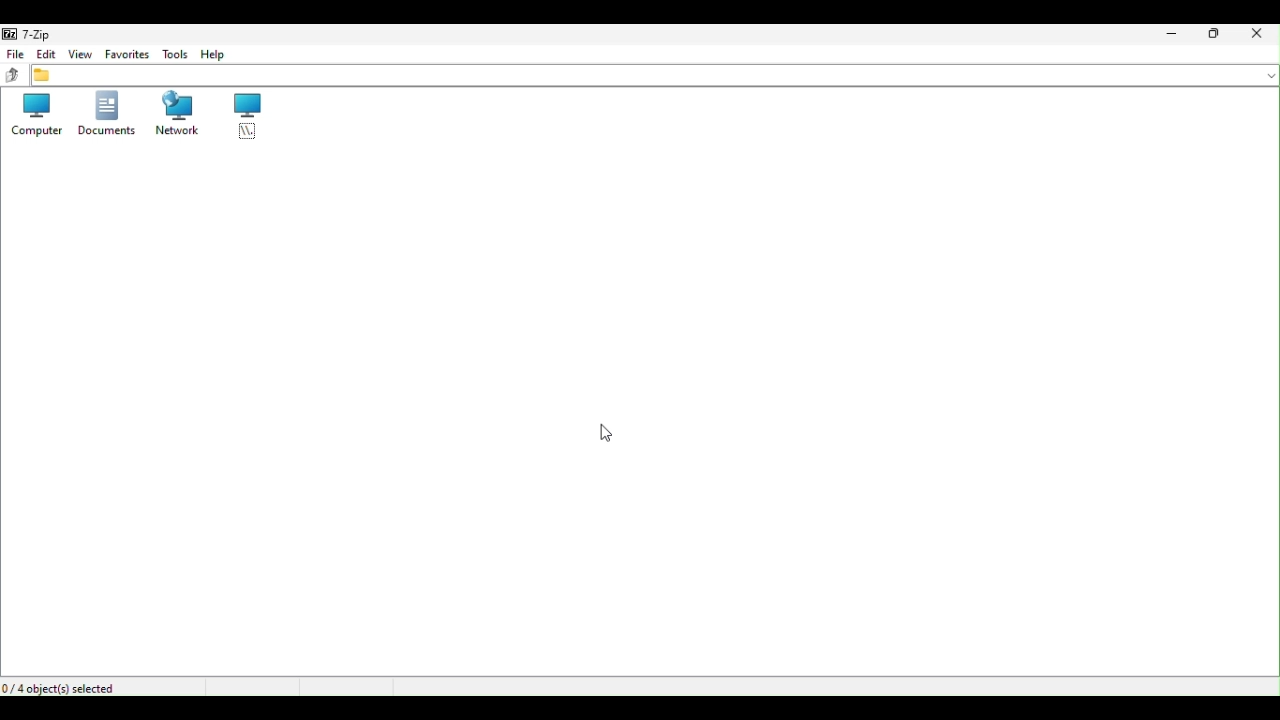  Describe the element at coordinates (81, 54) in the screenshot. I see `View` at that location.